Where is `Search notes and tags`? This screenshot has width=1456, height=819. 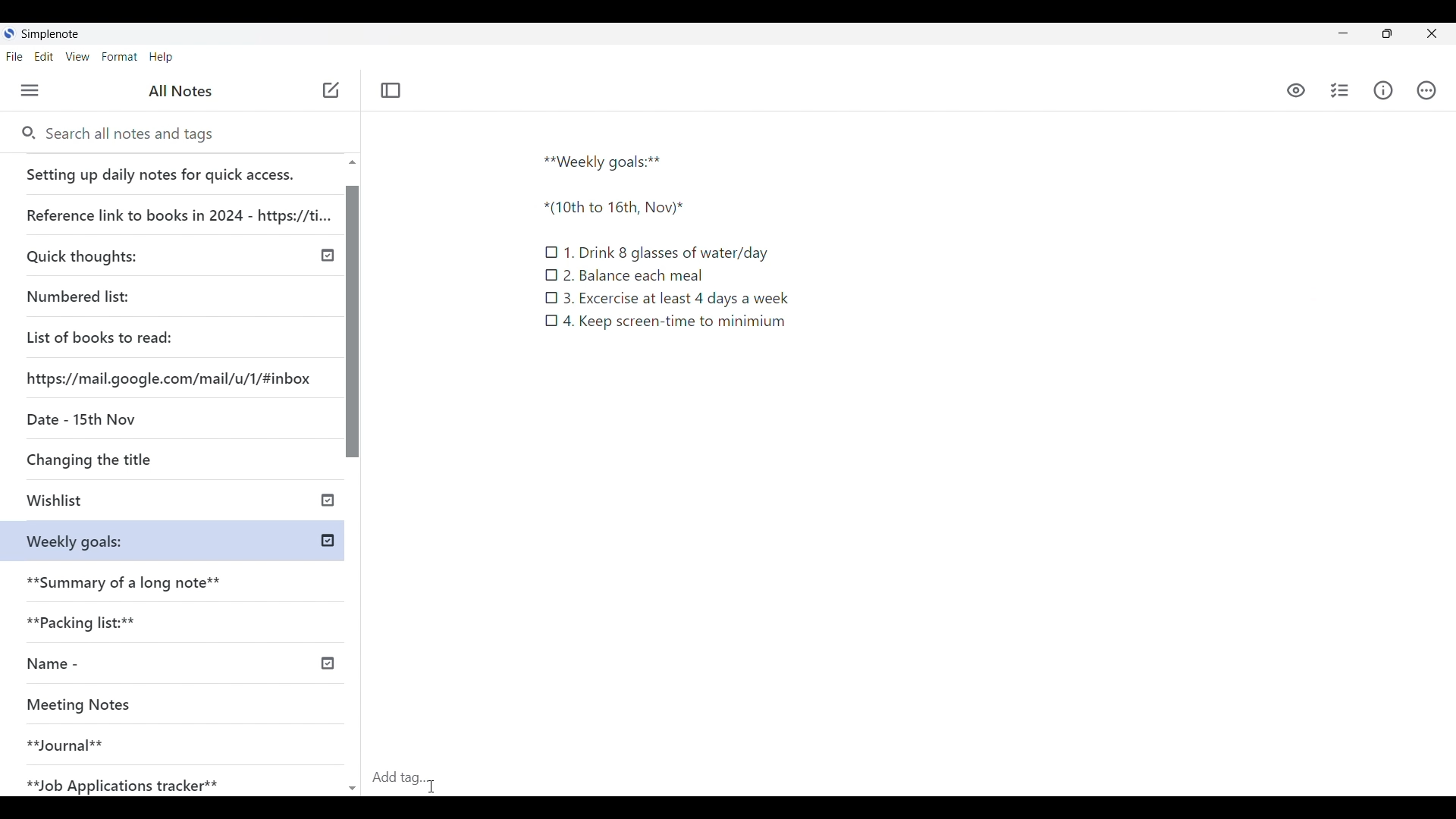
Search notes and tags is located at coordinates (136, 134).